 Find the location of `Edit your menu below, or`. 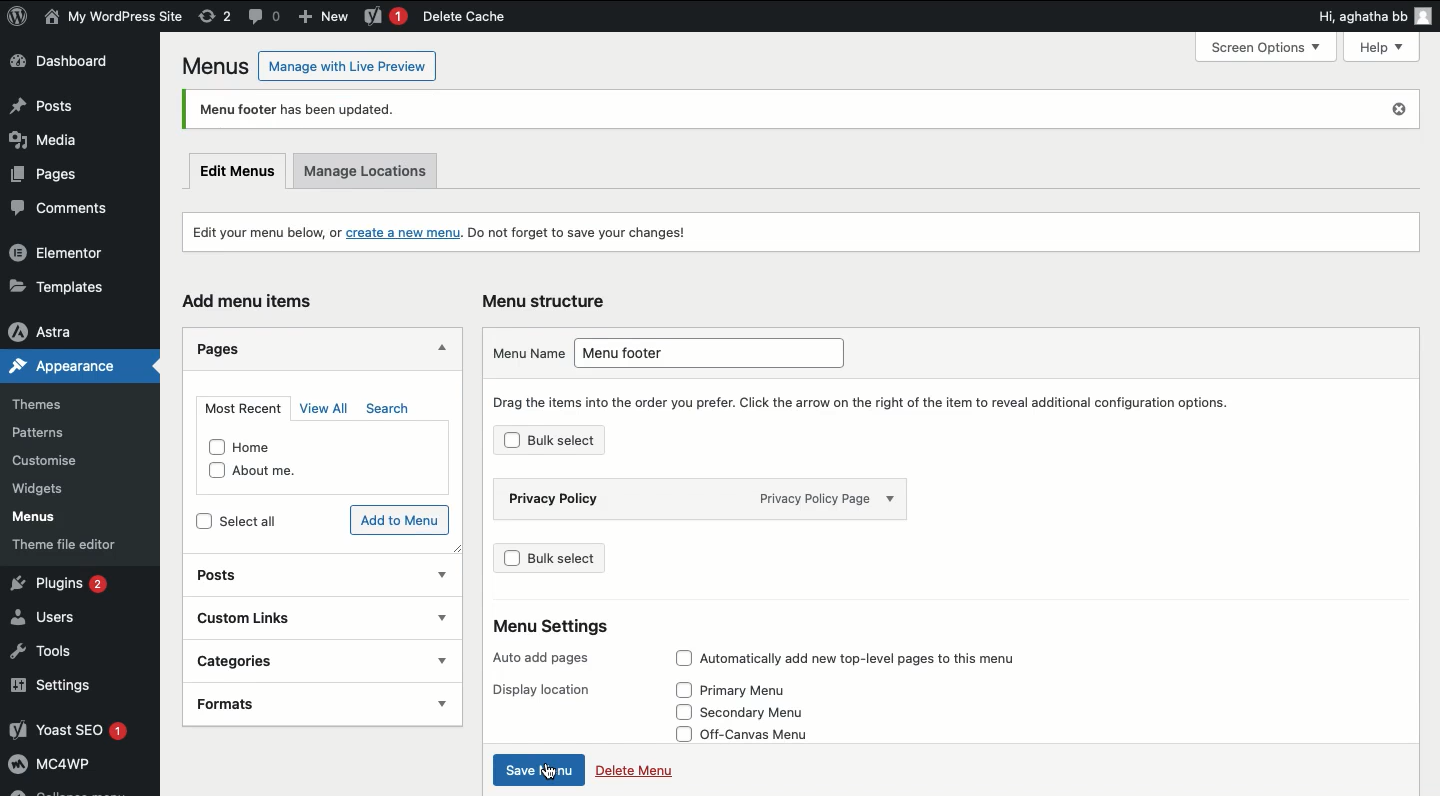

Edit your menu below, or is located at coordinates (253, 231).